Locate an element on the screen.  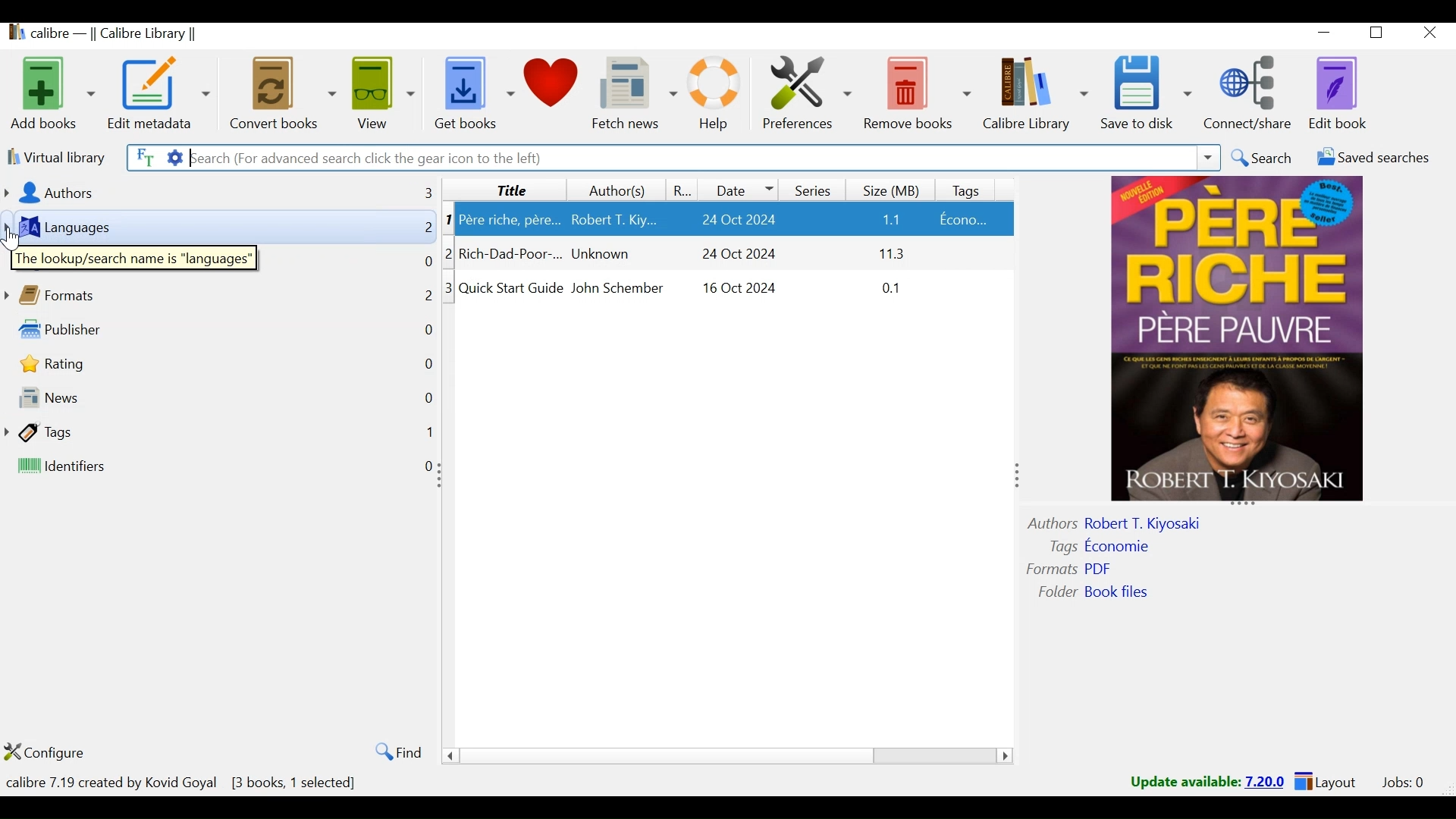
Restore is located at coordinates (1380, 35).